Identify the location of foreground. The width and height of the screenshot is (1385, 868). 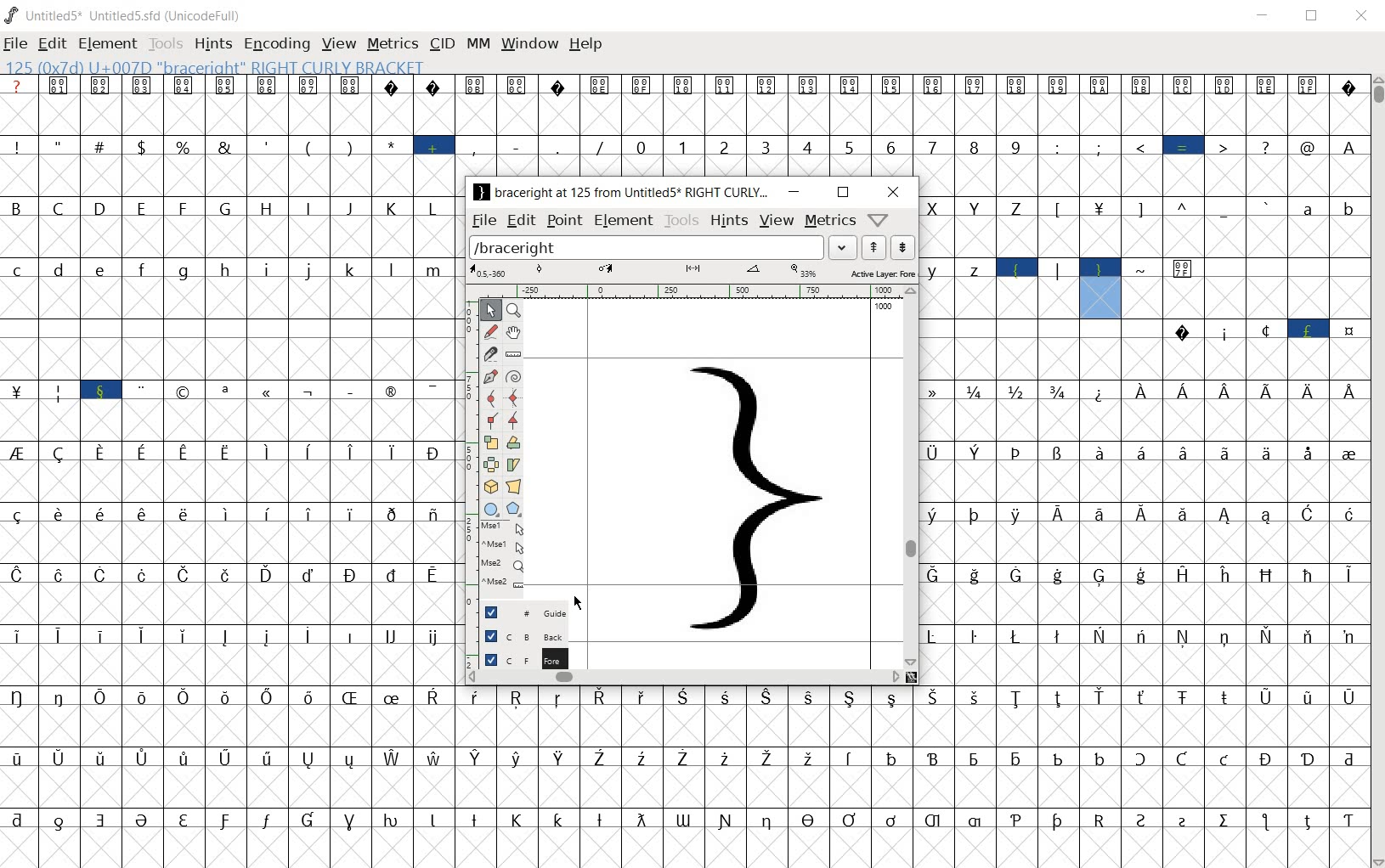
(517, 658).